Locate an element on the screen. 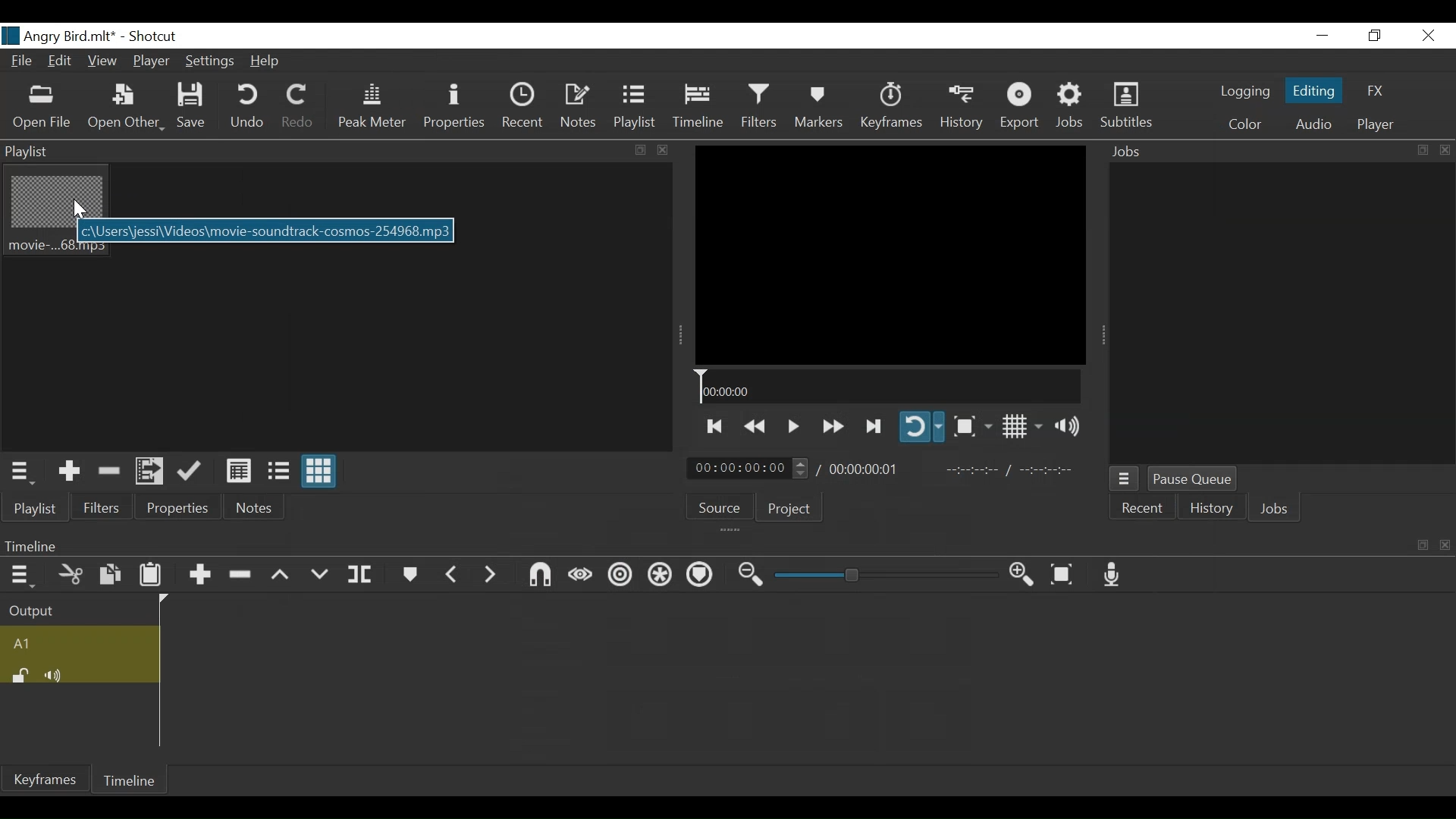  resize is located at coordinates (1421, 150).